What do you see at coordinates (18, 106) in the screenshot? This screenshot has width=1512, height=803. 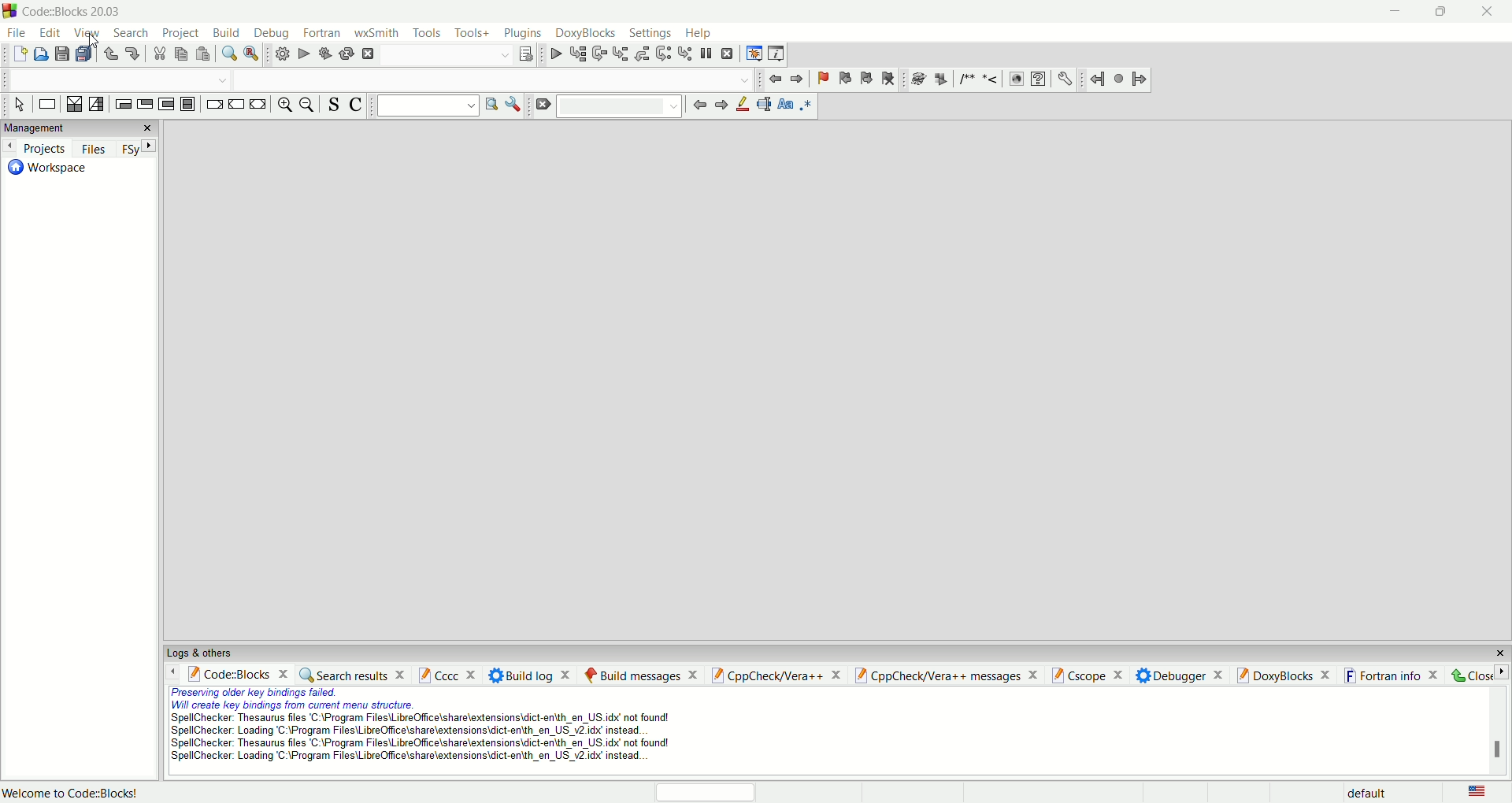 I see `select` at bounding box center [18, 106].